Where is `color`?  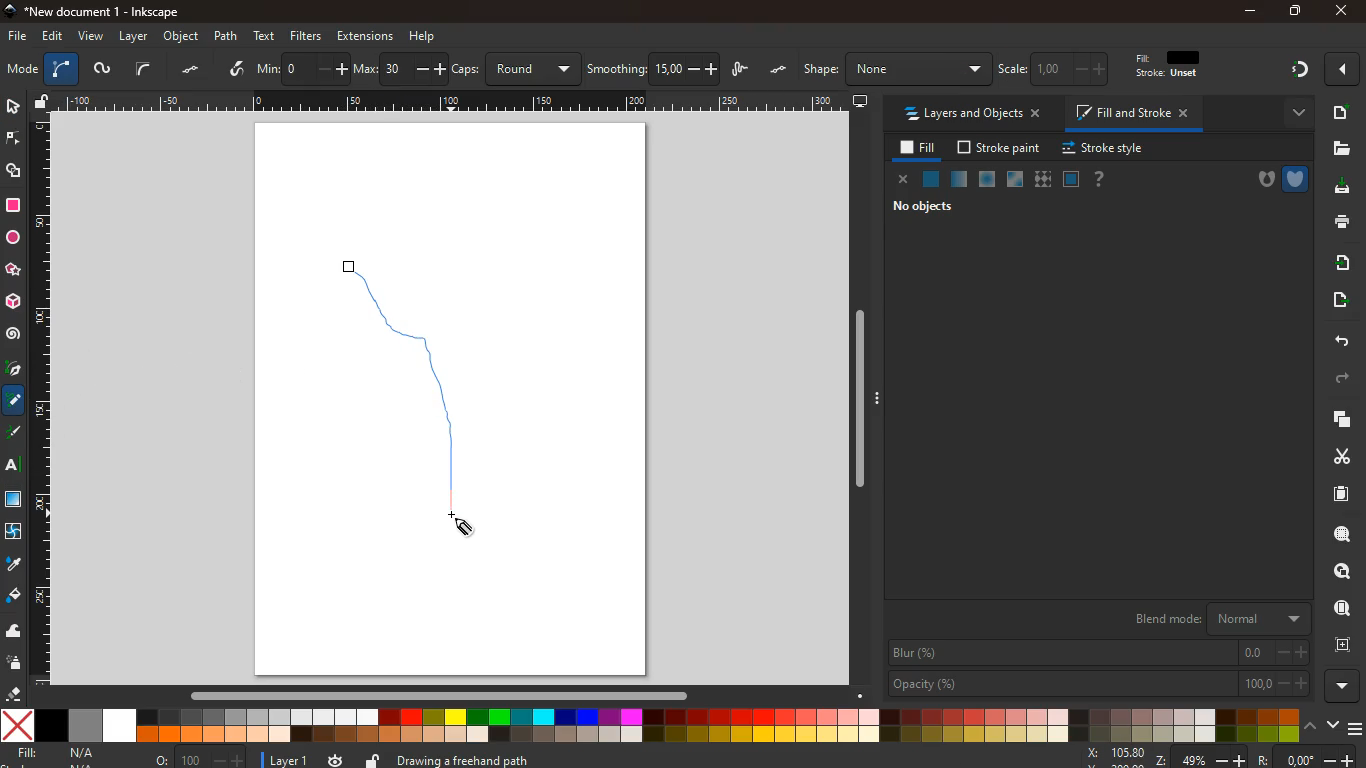 color is located at coordinates (651, 725).